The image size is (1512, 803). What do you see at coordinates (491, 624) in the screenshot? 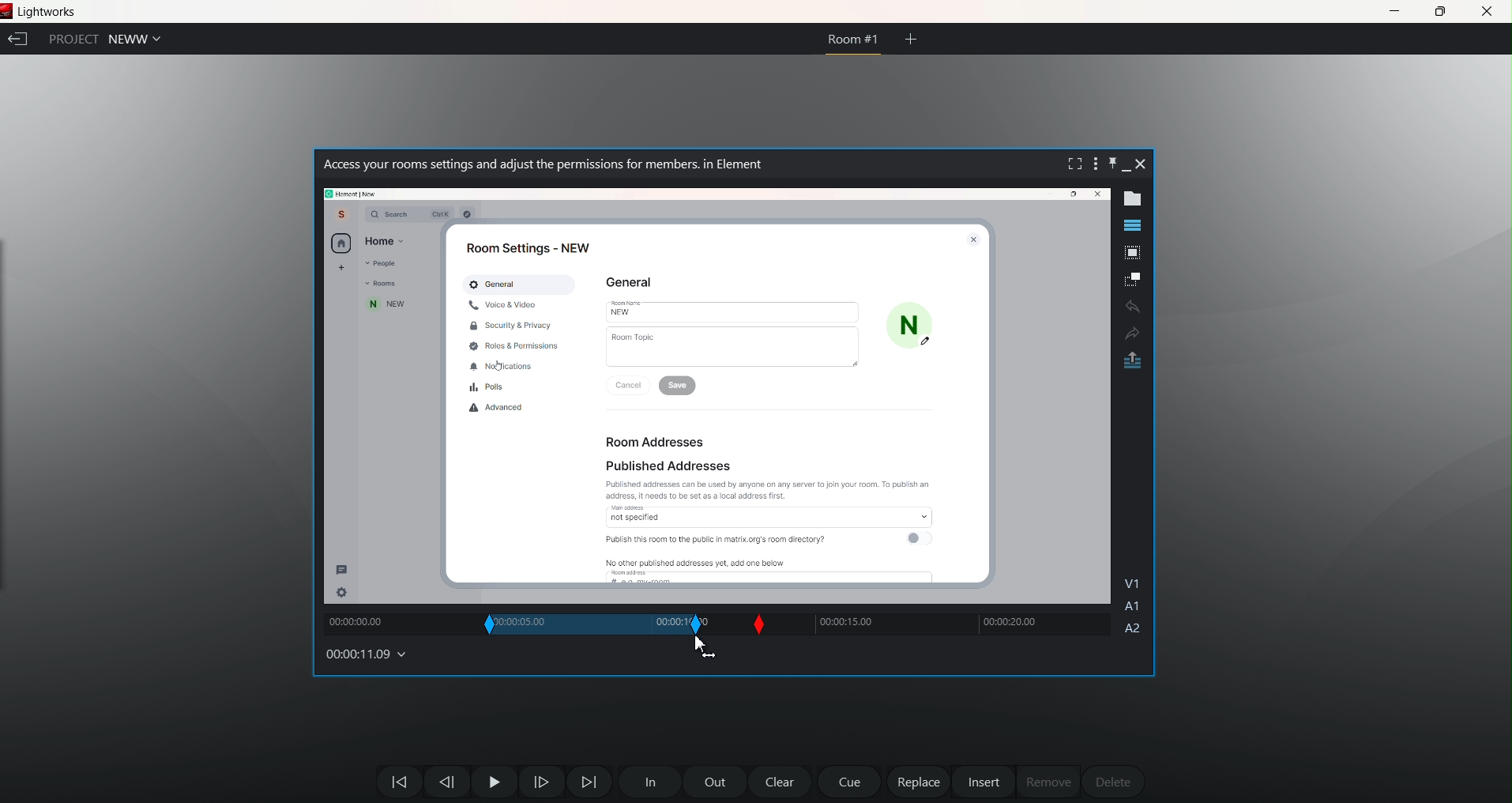
I see `In slip` at bounding box center [491, 624].